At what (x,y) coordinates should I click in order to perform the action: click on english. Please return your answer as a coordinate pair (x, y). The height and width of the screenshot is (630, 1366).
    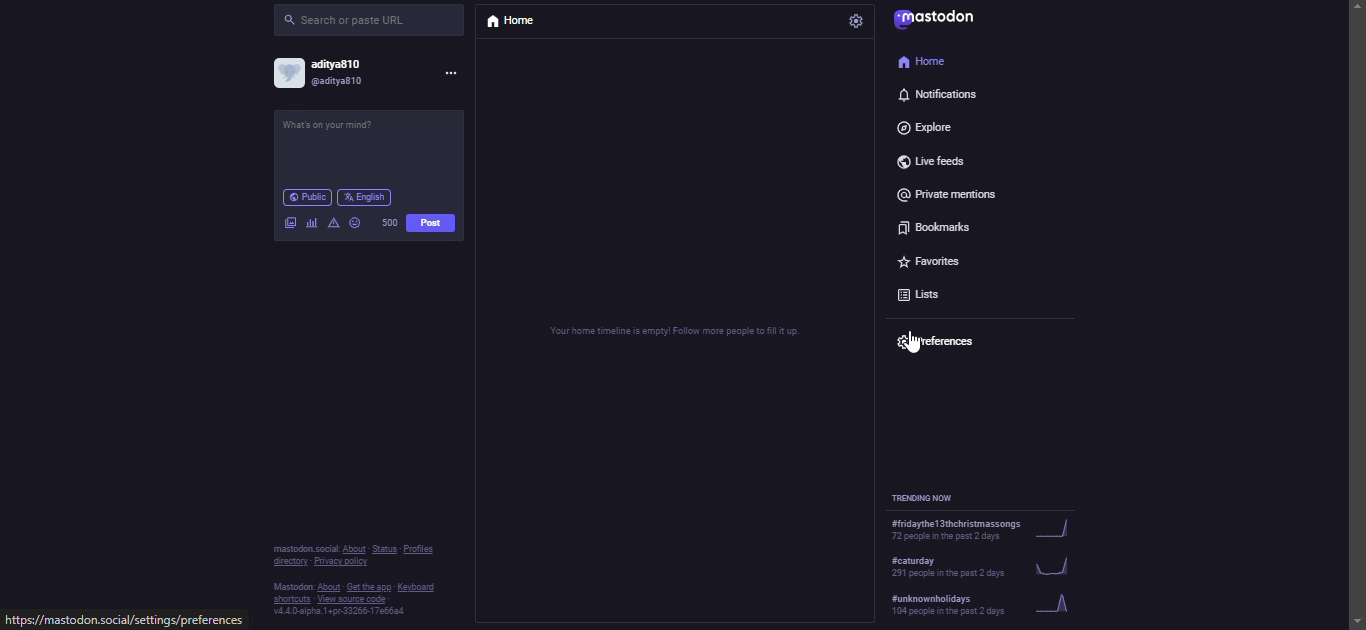
    Looking at the image, I should click on (368, 194).